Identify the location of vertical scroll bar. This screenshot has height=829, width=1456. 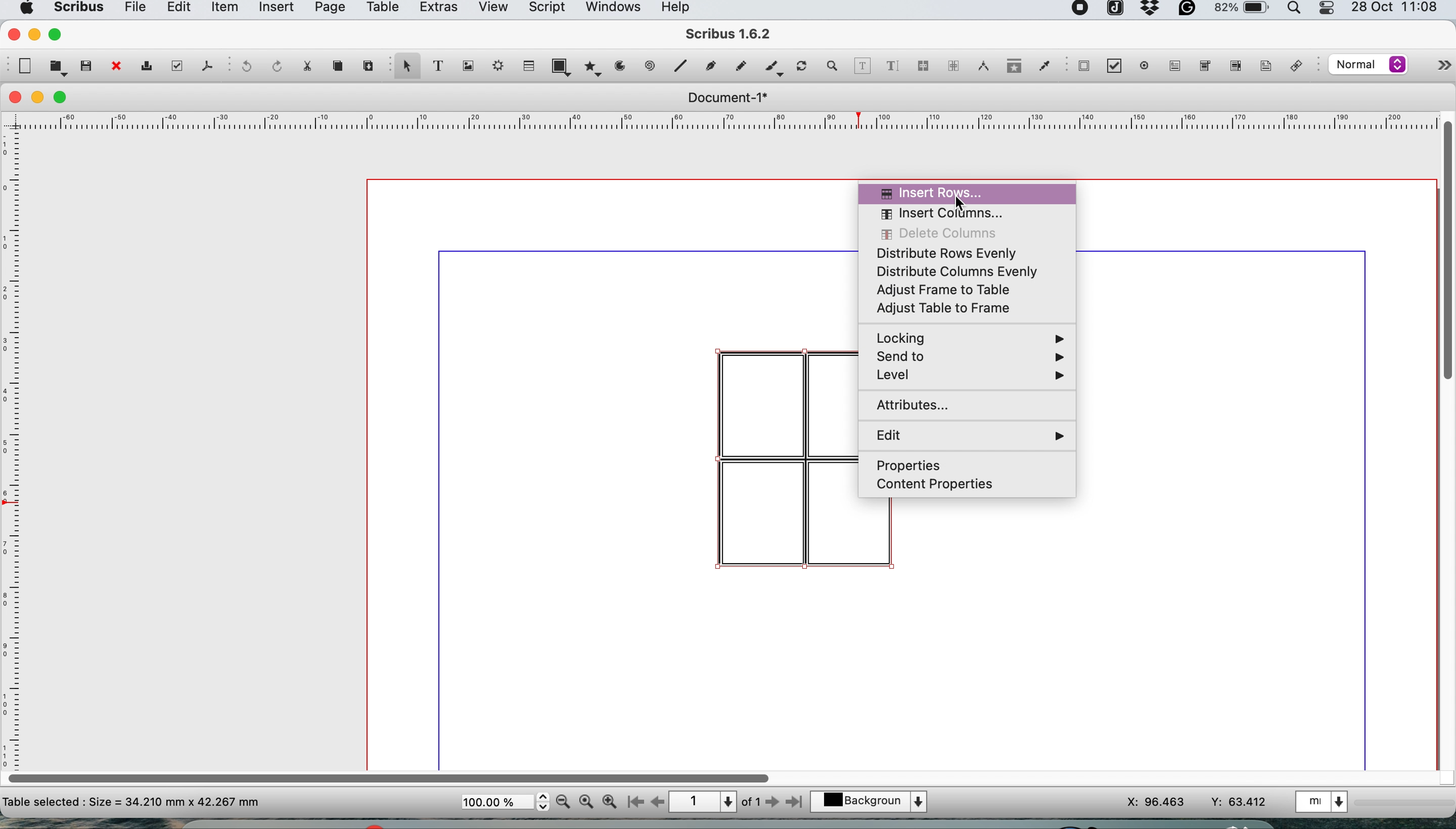
(1446, 248).